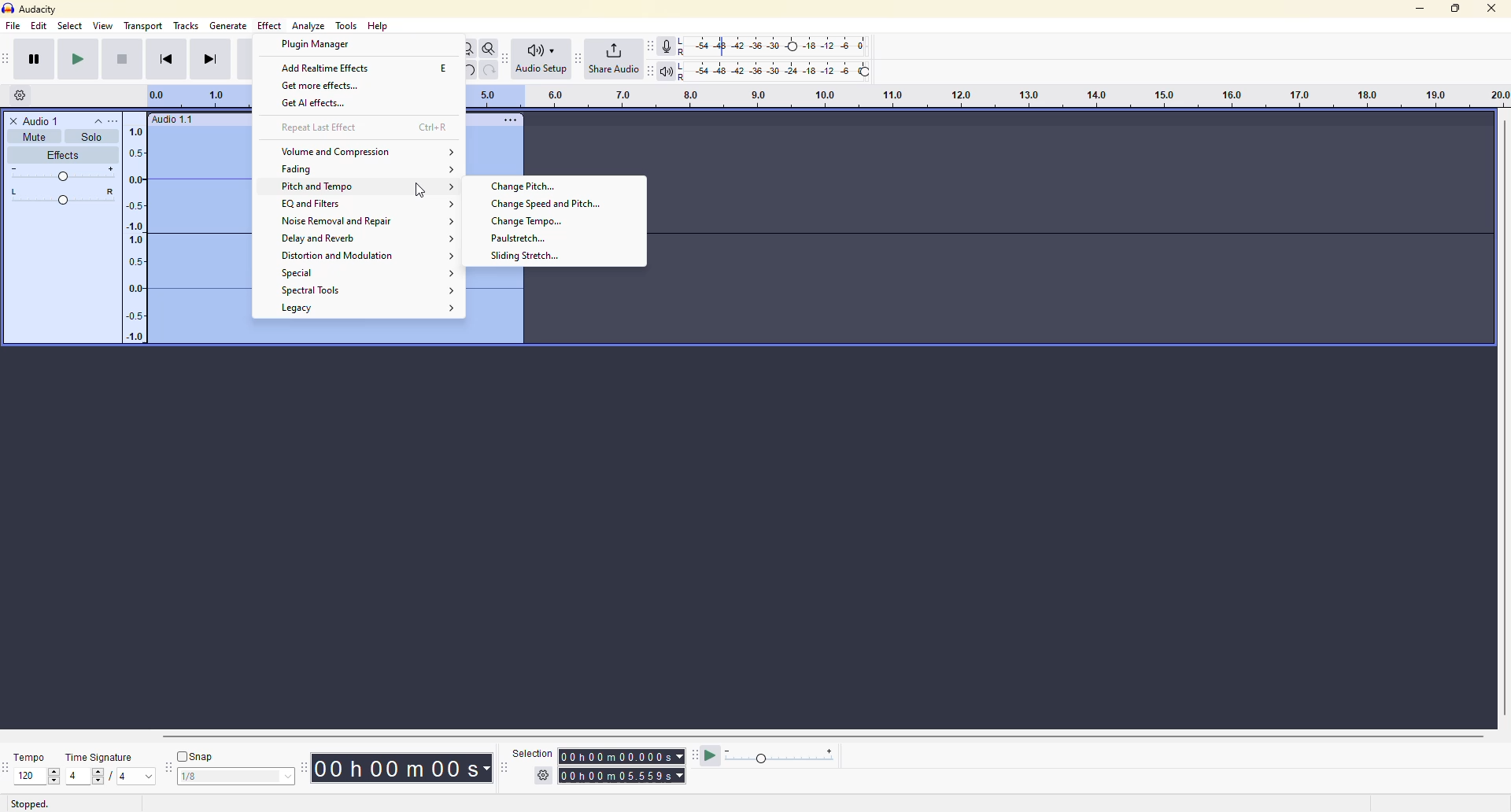  What do you see at coordinates (668, 46) in the screenshot?
I see `record meter` at bounding box center [668, 46].